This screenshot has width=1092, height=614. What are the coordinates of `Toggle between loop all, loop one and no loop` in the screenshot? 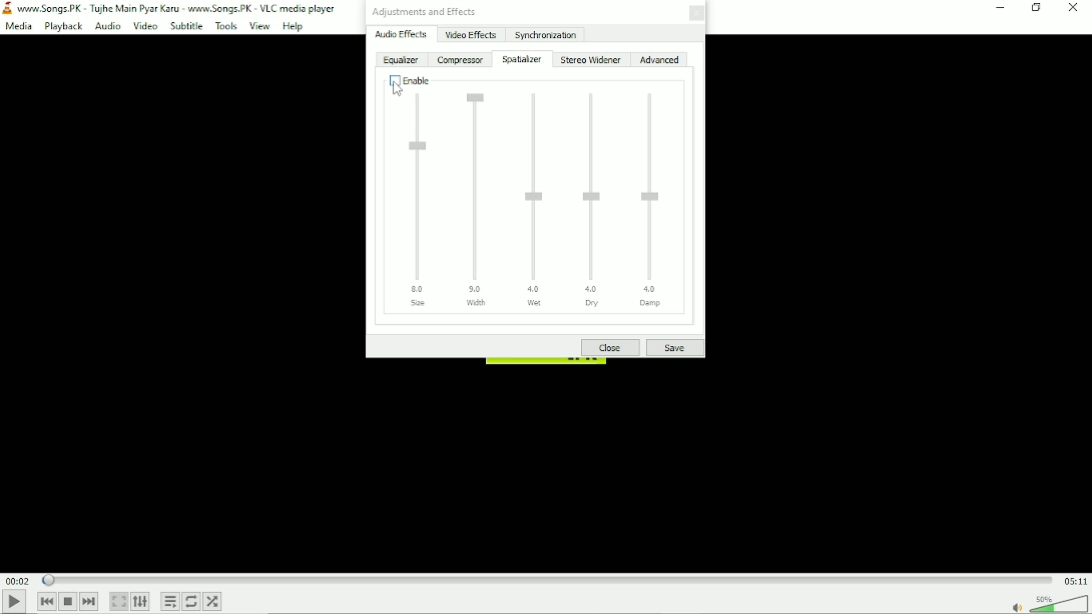 It's located at (192, 601).